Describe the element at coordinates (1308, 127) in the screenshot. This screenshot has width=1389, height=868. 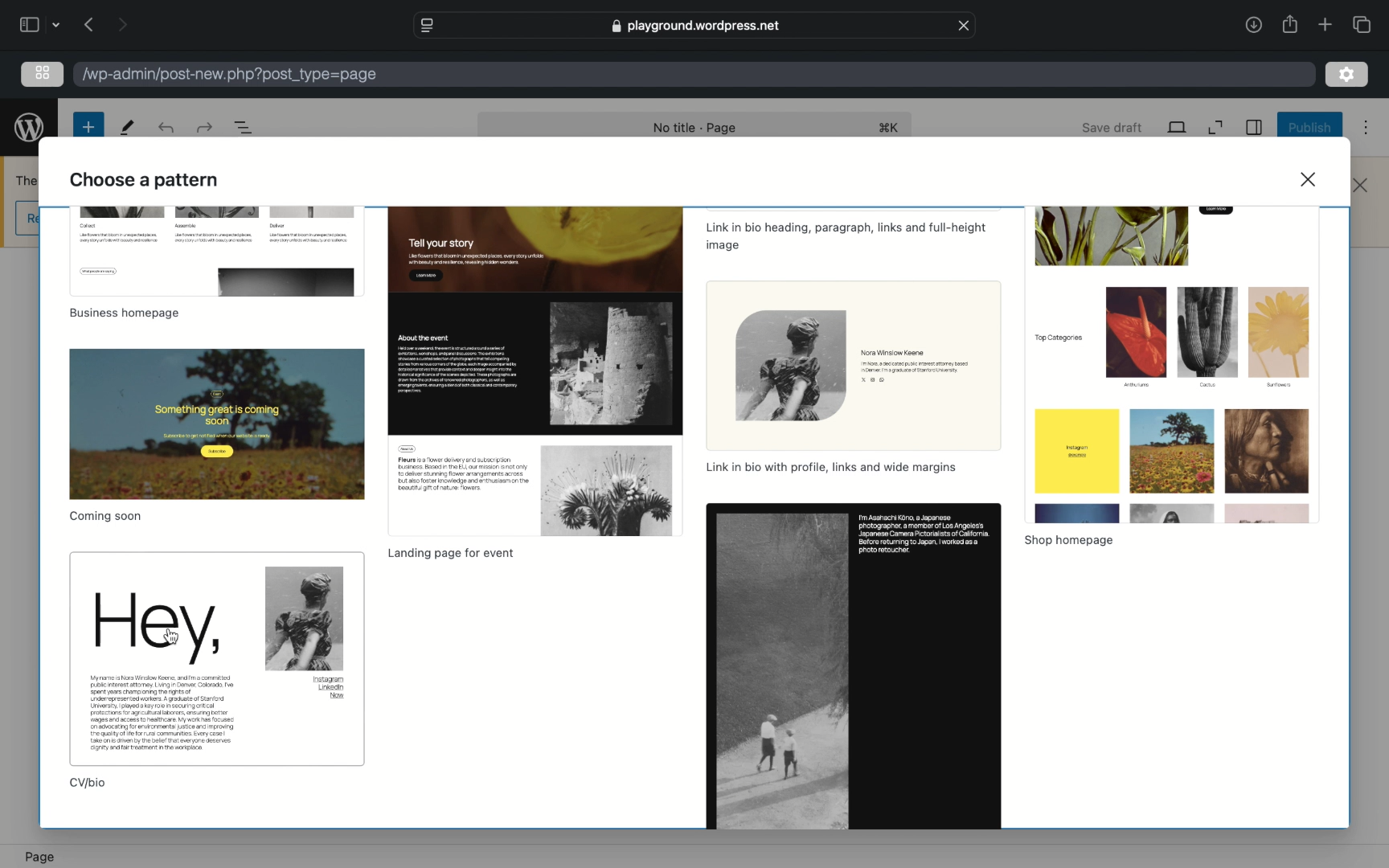
I see `publish` at that location.